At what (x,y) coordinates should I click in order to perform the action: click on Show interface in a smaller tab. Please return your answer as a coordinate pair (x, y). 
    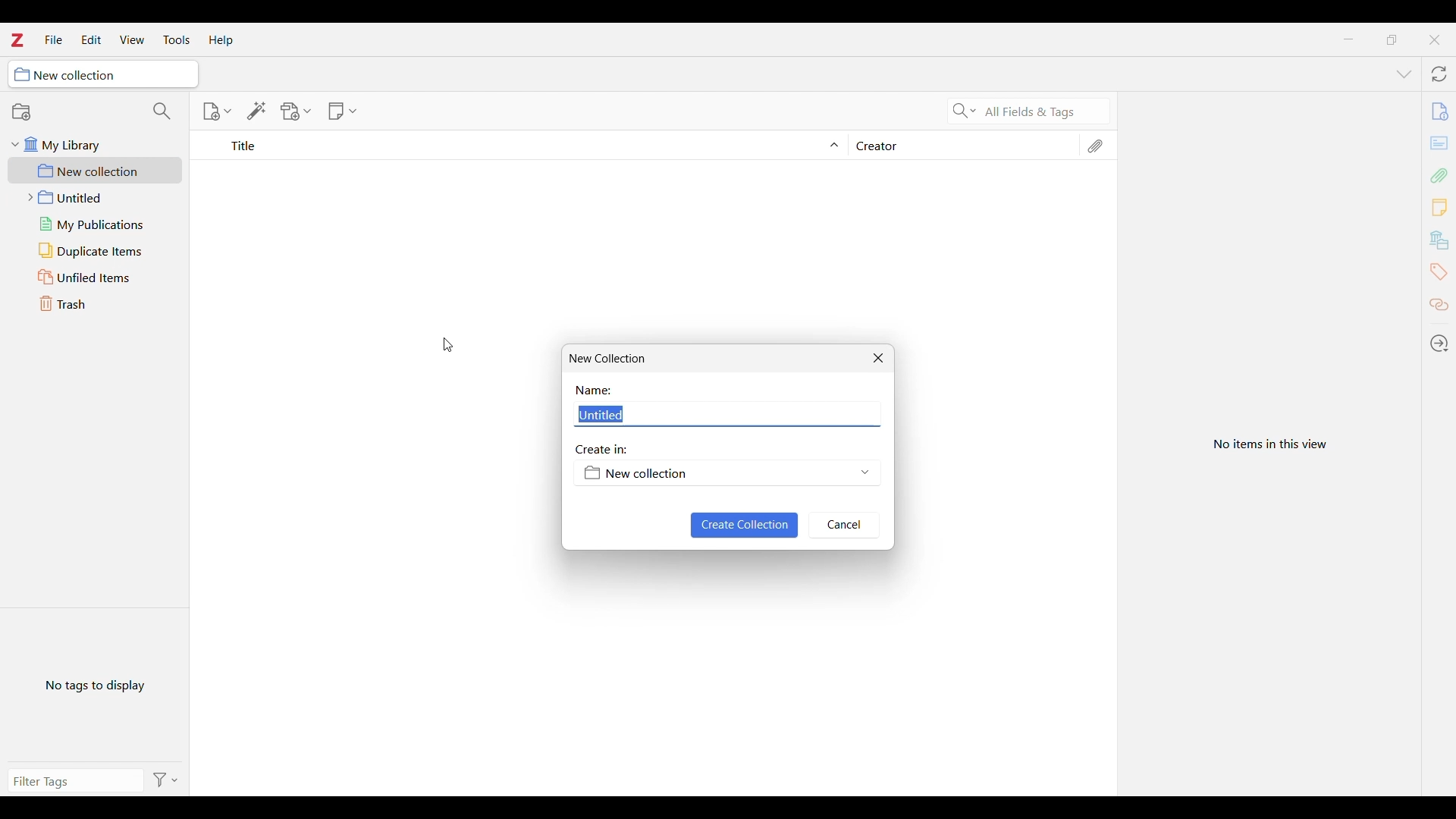
    Looking at the image, I should click on (1392, 40).